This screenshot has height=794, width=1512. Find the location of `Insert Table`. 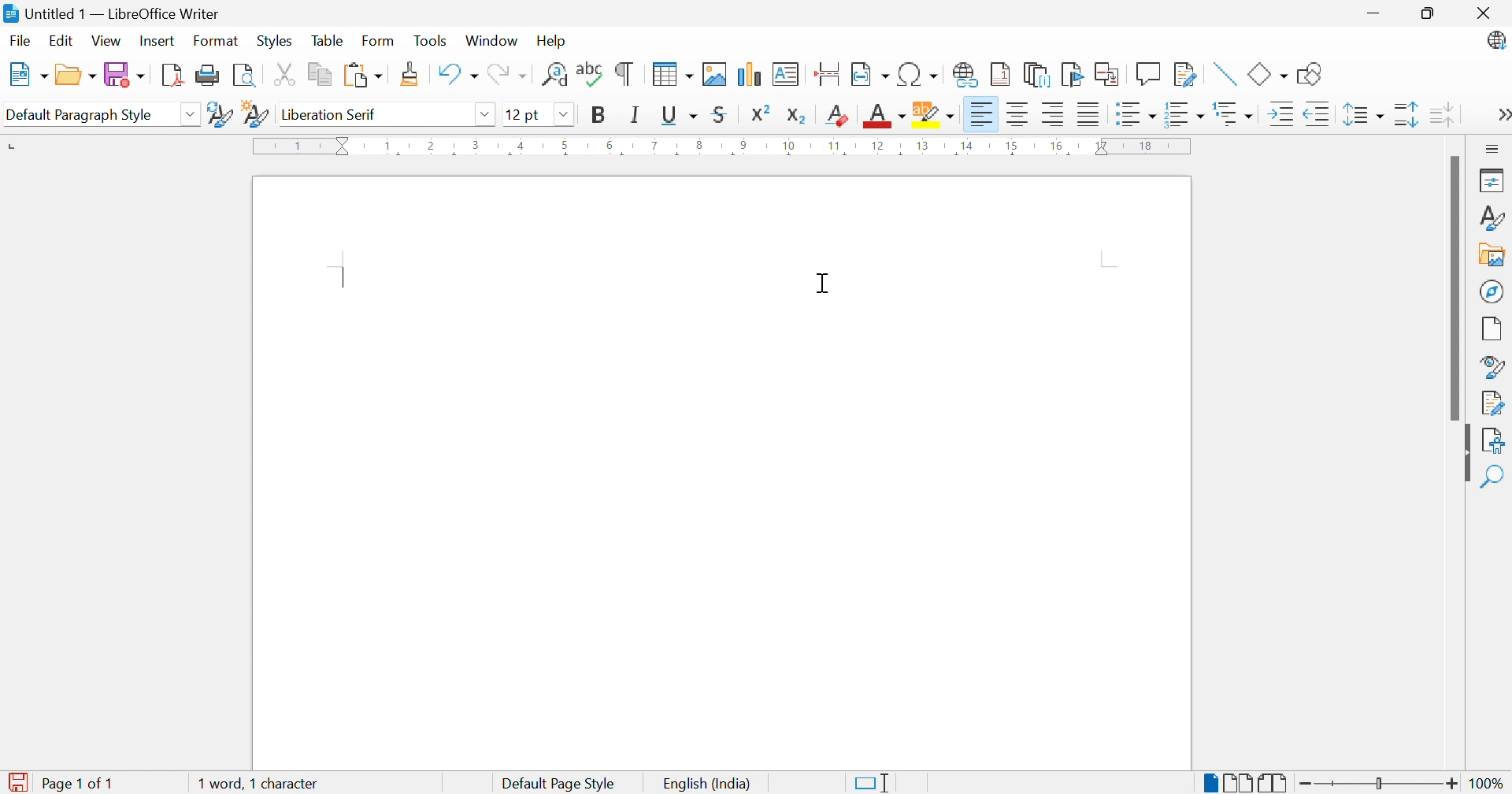

Insert Table is located at coordinates (673, 76).